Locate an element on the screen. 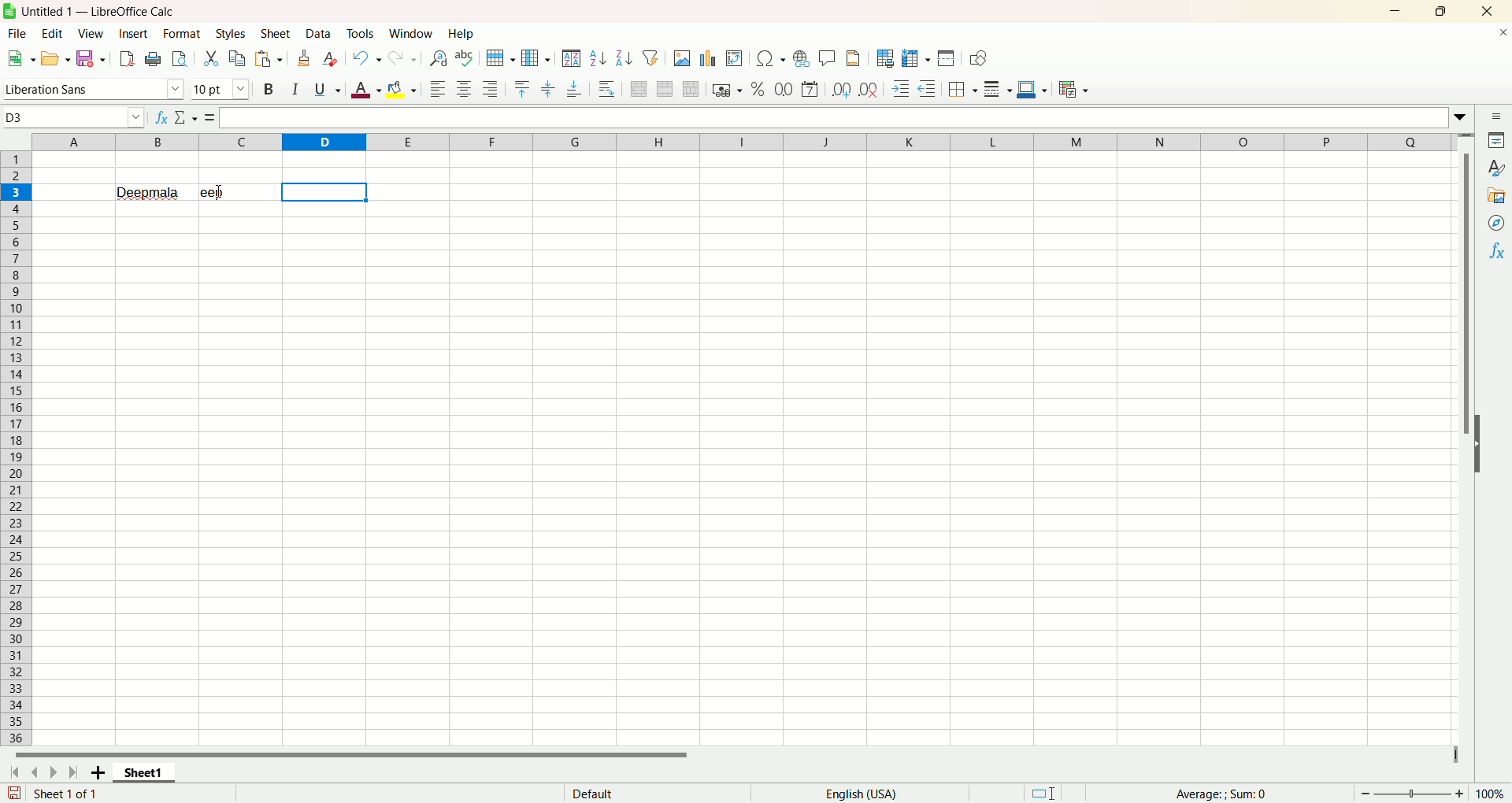  Window is located at coordinates (412, 33).